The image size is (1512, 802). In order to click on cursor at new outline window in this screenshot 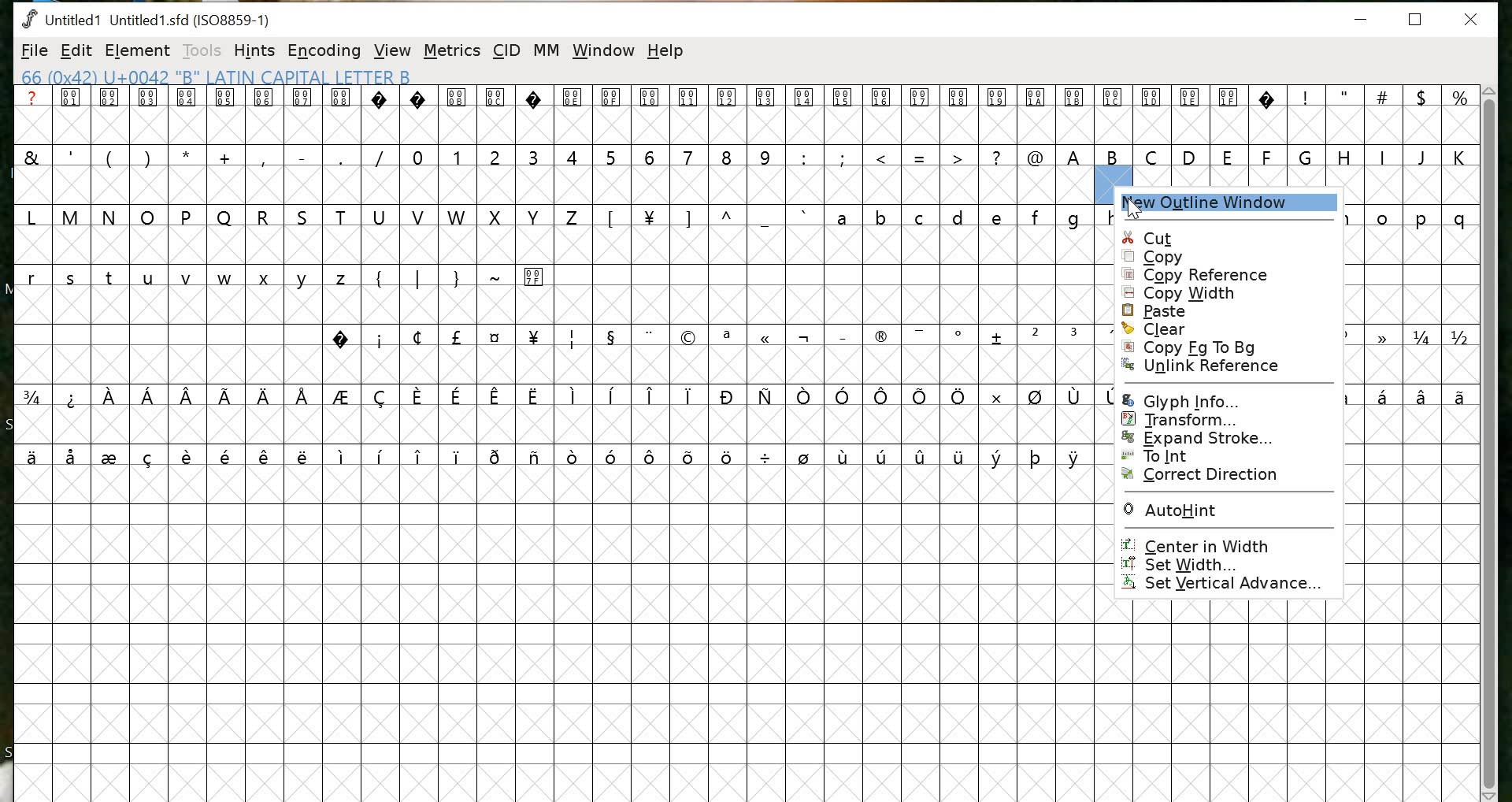, I will do `click(1131, 208)`.